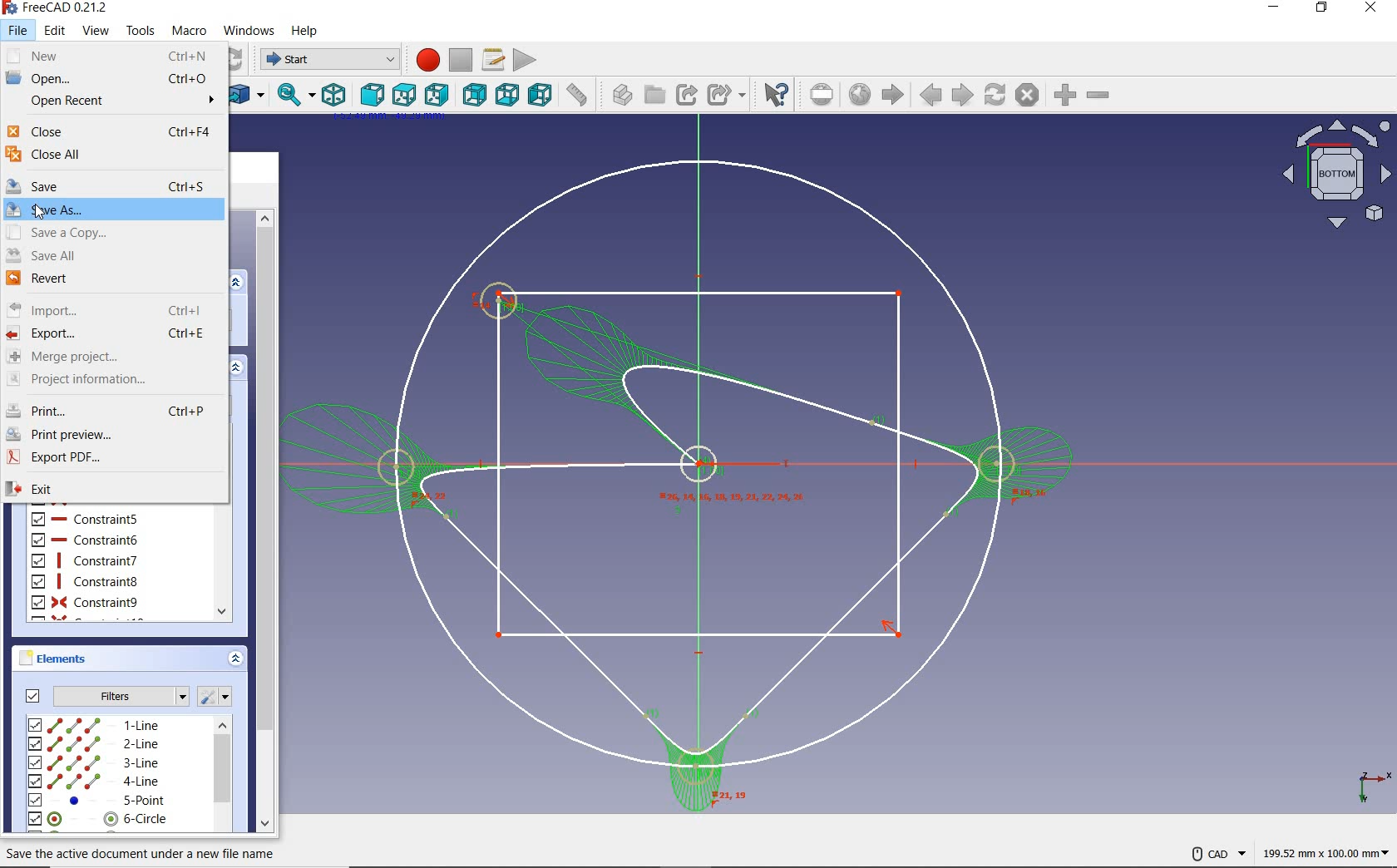 Image resolution: width=1397 pixels, height=868 pixels. Describe the element at coordinates (111, 80) in the screenshot. I see `open` at that location.